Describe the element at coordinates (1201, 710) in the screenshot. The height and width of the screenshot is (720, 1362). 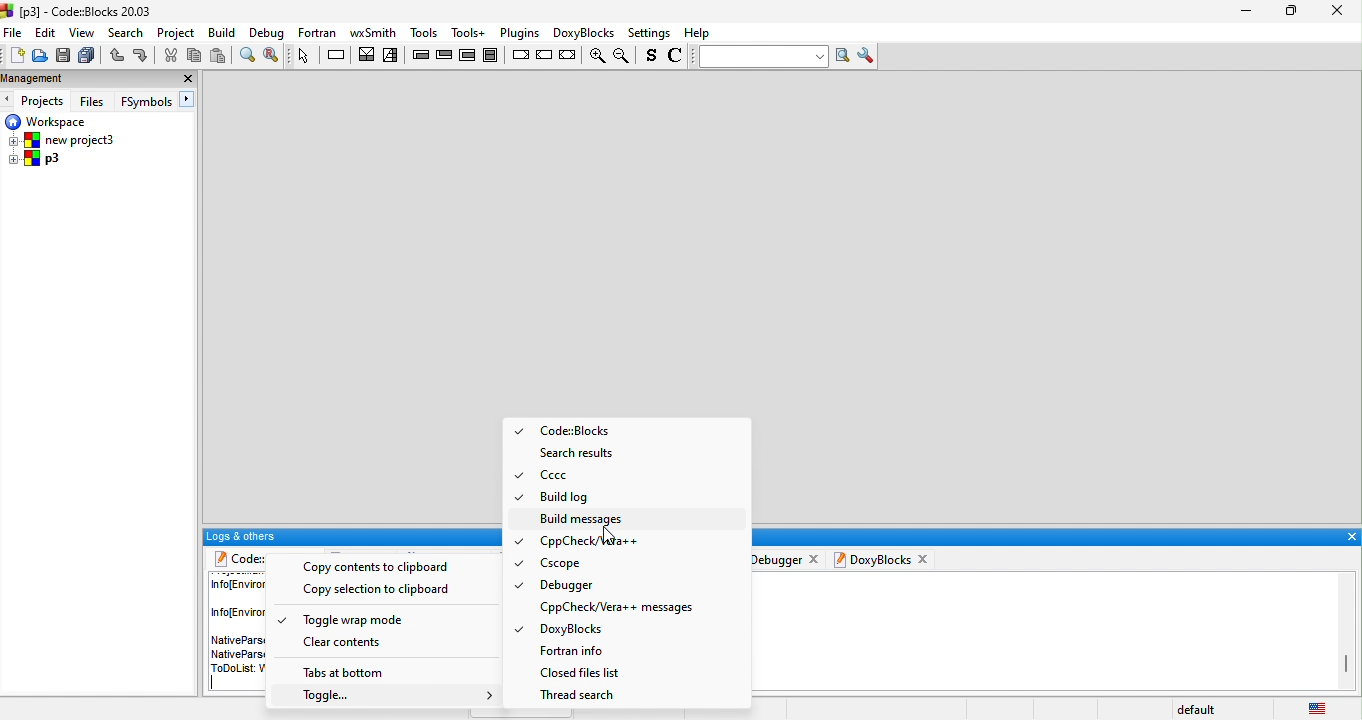
I see `default` at that location.